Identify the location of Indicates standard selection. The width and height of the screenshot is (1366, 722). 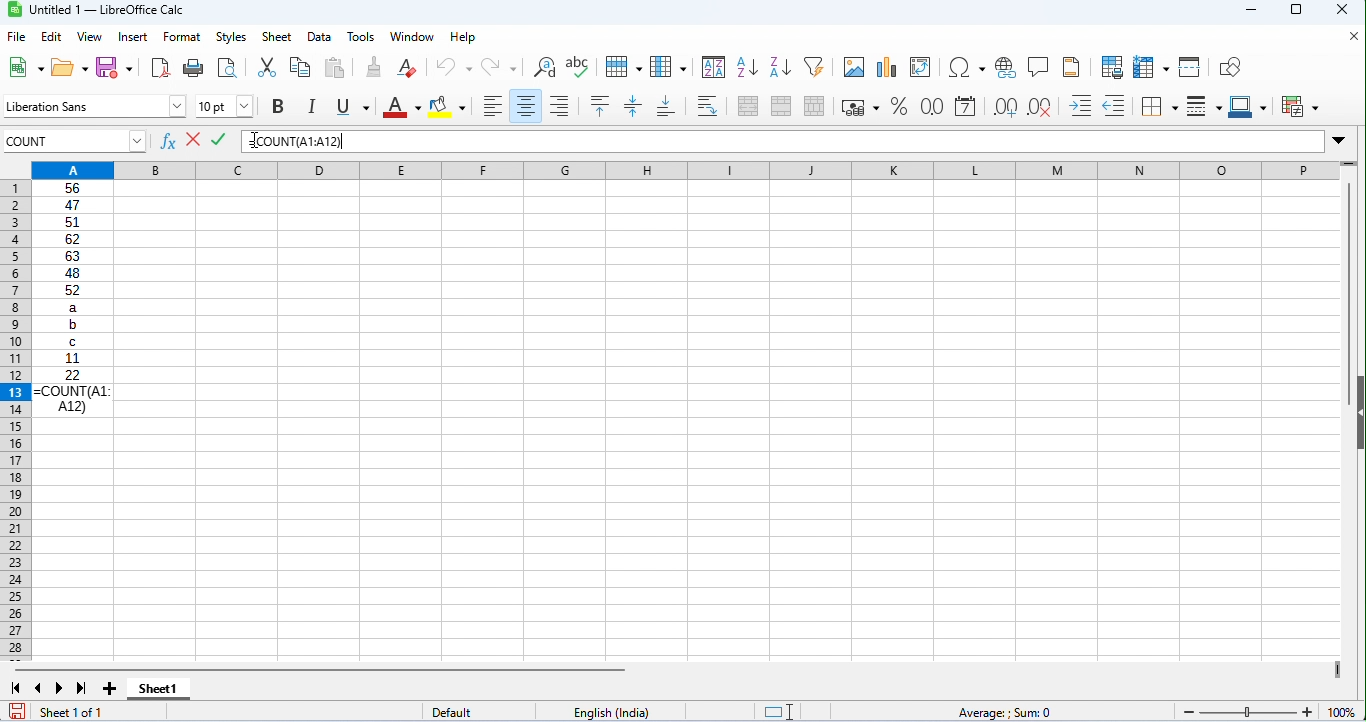
(778, 712).